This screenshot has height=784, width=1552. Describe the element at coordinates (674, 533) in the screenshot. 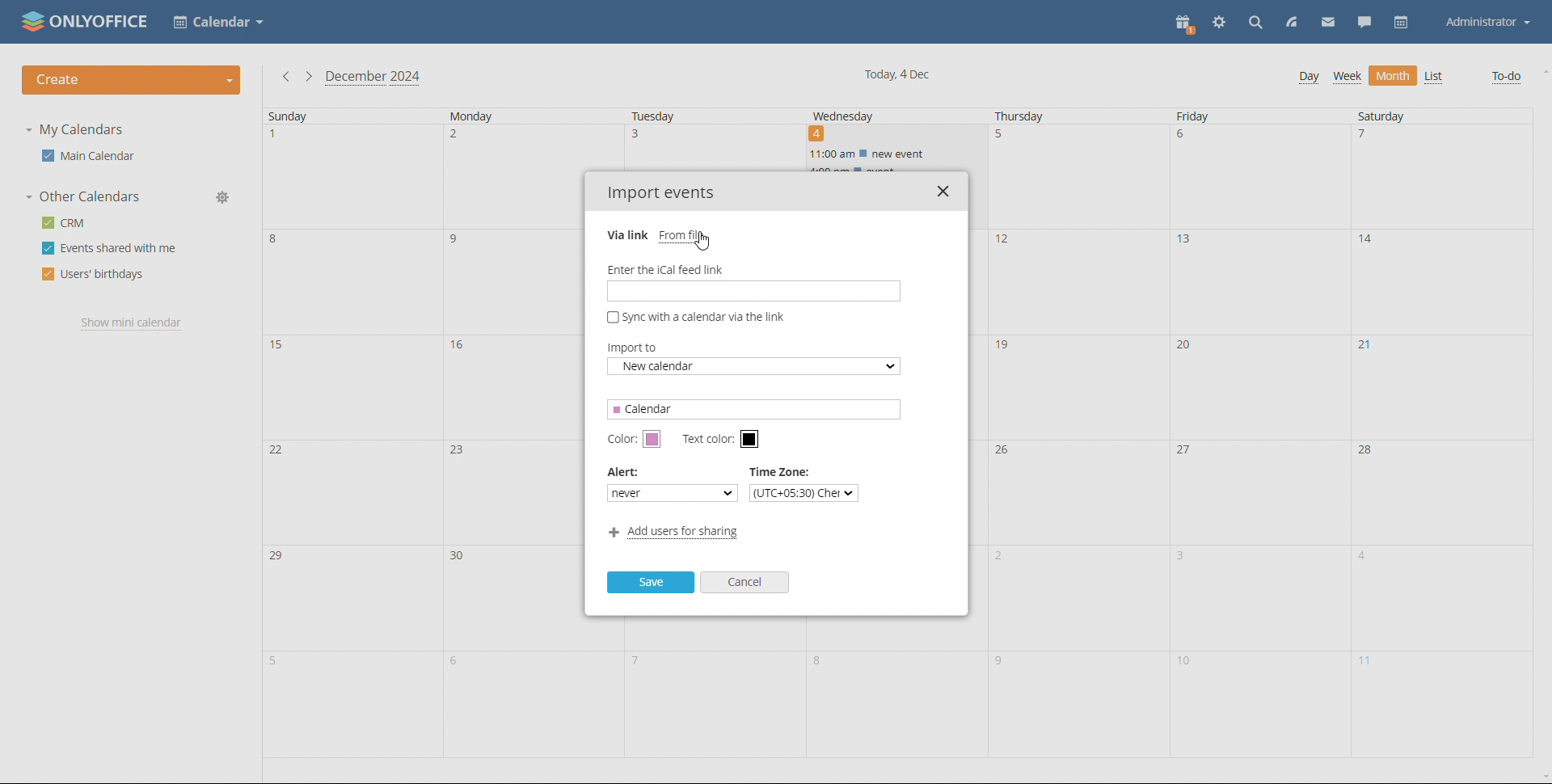

I see `add users for sharing` at that location.